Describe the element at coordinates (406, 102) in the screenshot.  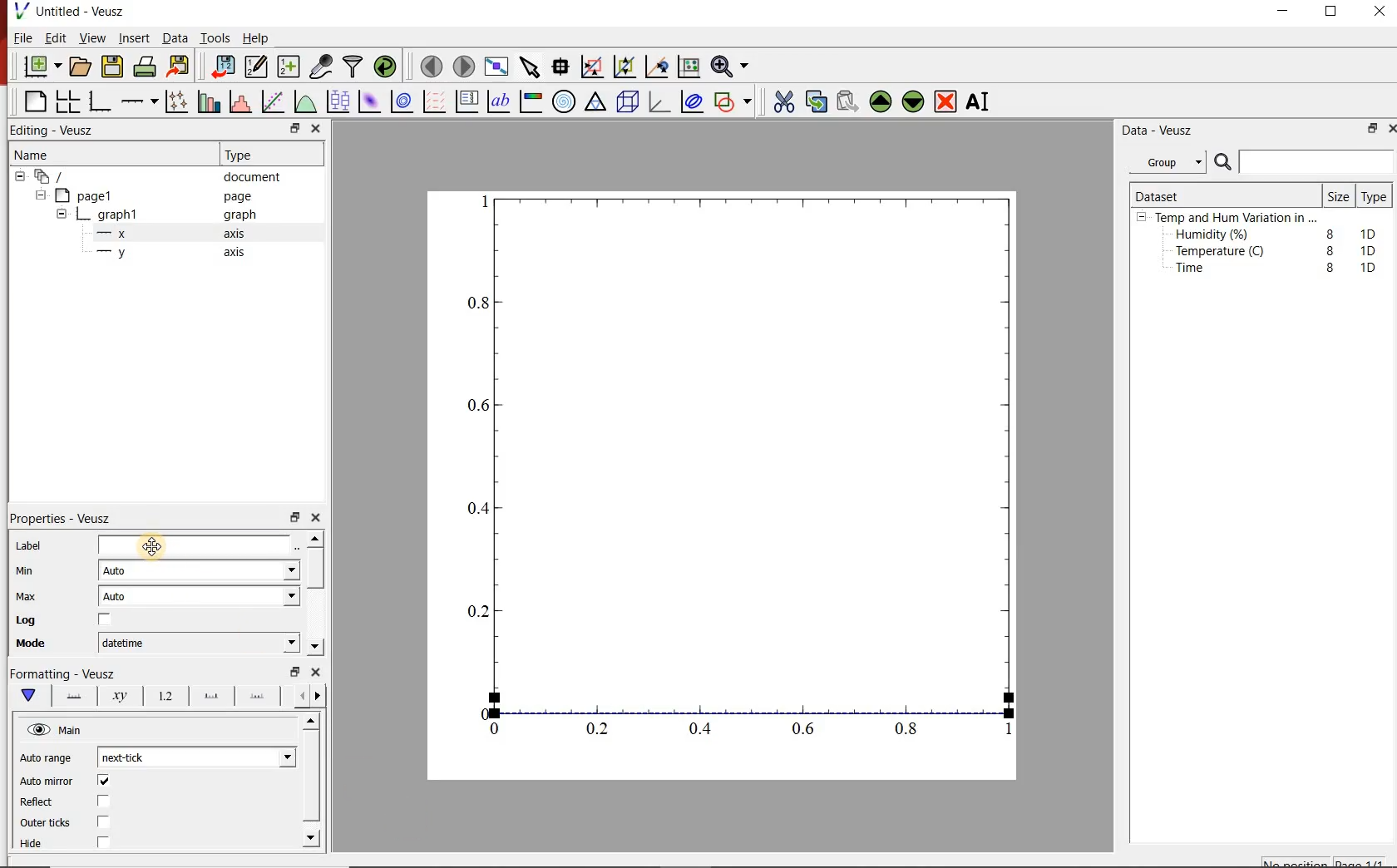
I see `plot a 2d dataset as contours` at that location.